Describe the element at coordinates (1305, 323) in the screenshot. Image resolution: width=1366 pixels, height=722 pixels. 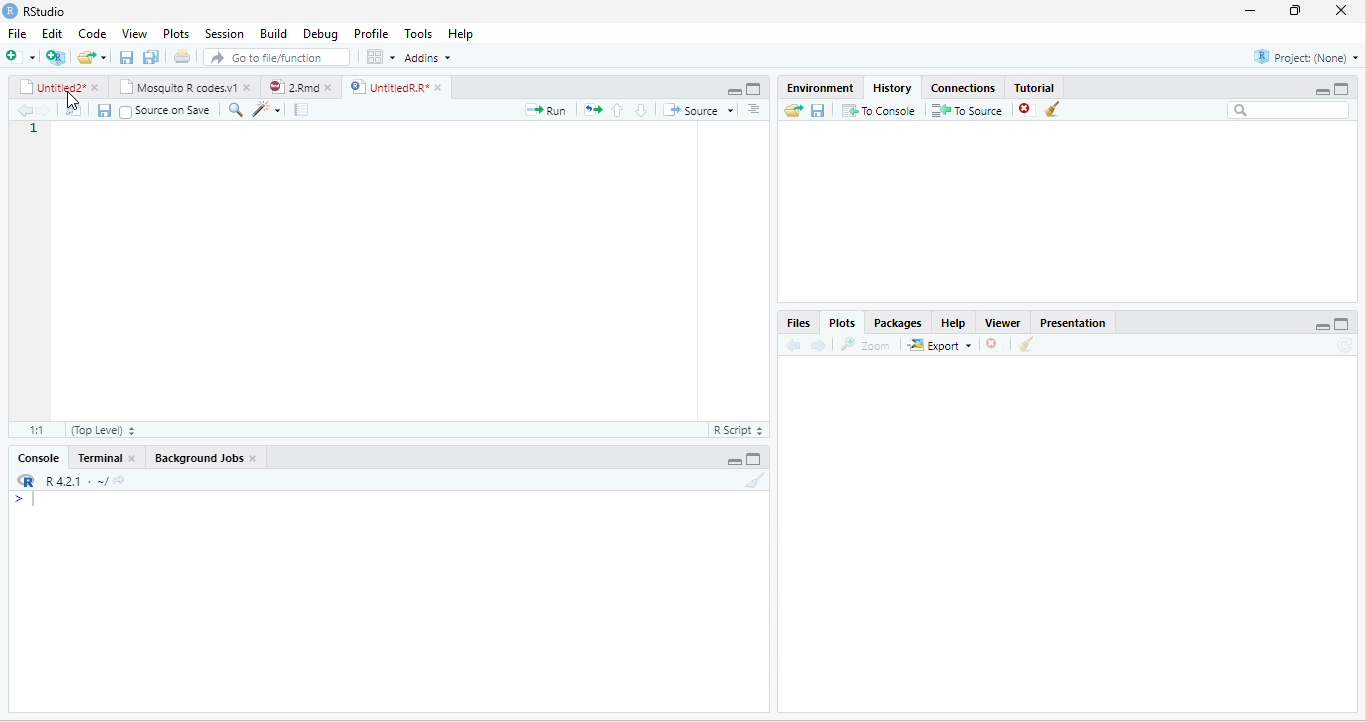
I see `` at that location.